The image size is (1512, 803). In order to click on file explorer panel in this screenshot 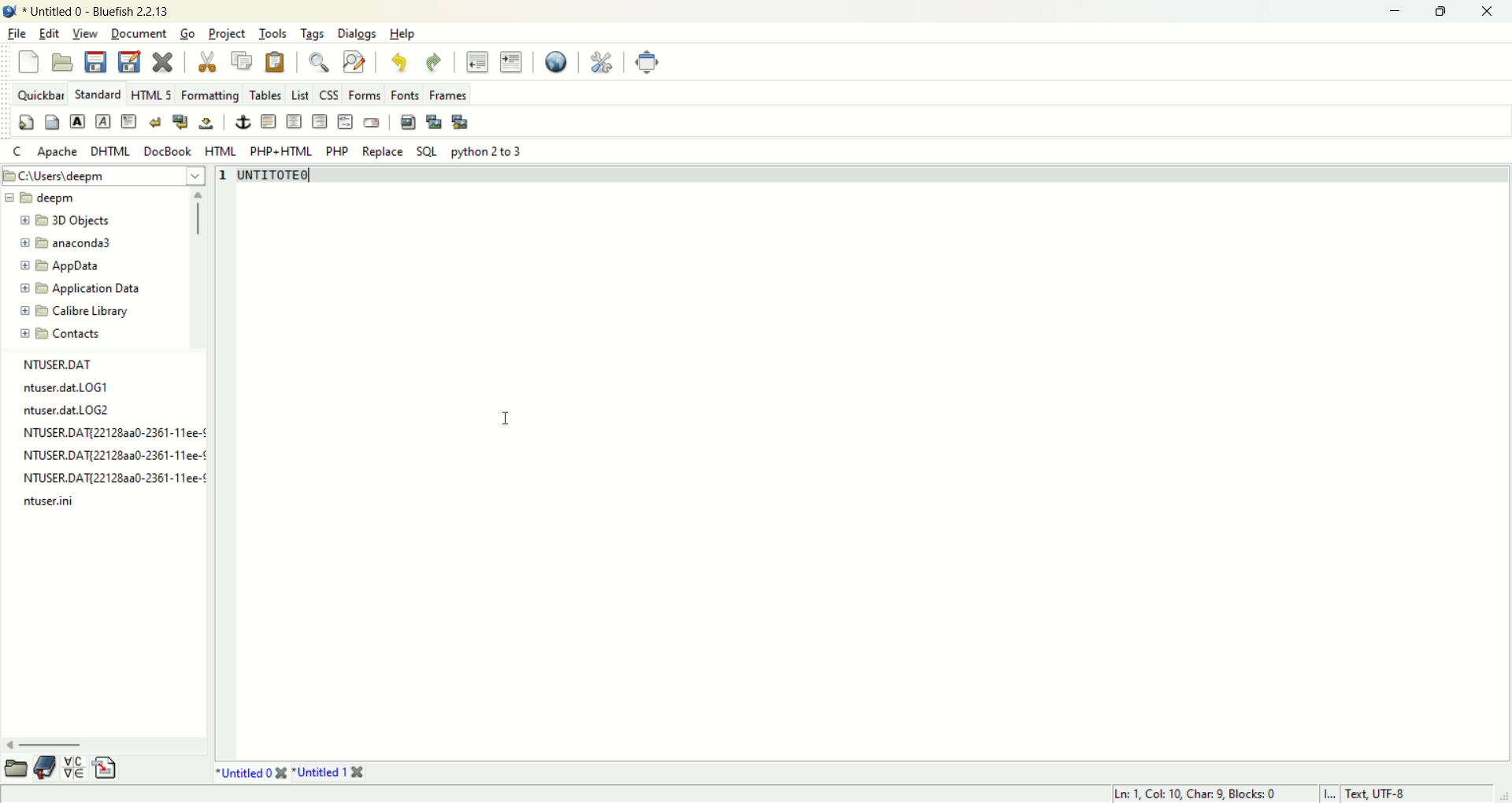, I will do `click(108, 432)`.